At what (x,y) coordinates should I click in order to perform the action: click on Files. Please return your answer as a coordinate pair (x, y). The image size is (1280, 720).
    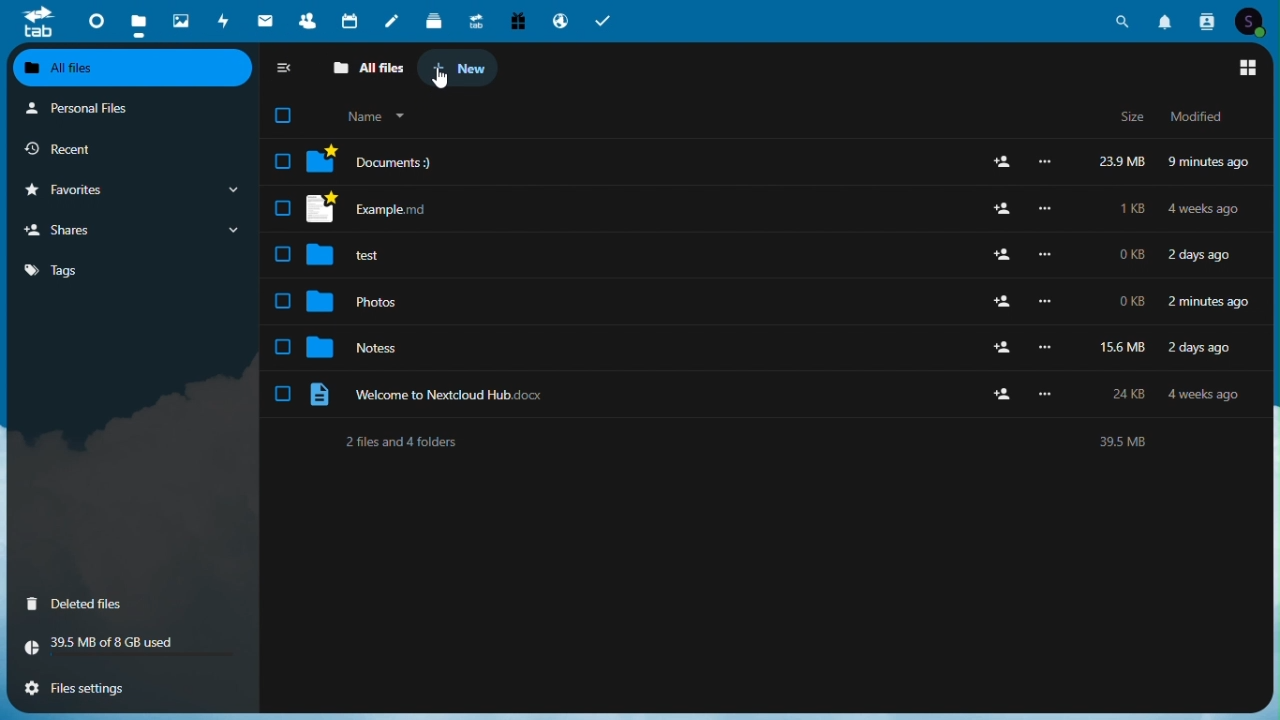
    Looking at the image, I should click on (779, 346).